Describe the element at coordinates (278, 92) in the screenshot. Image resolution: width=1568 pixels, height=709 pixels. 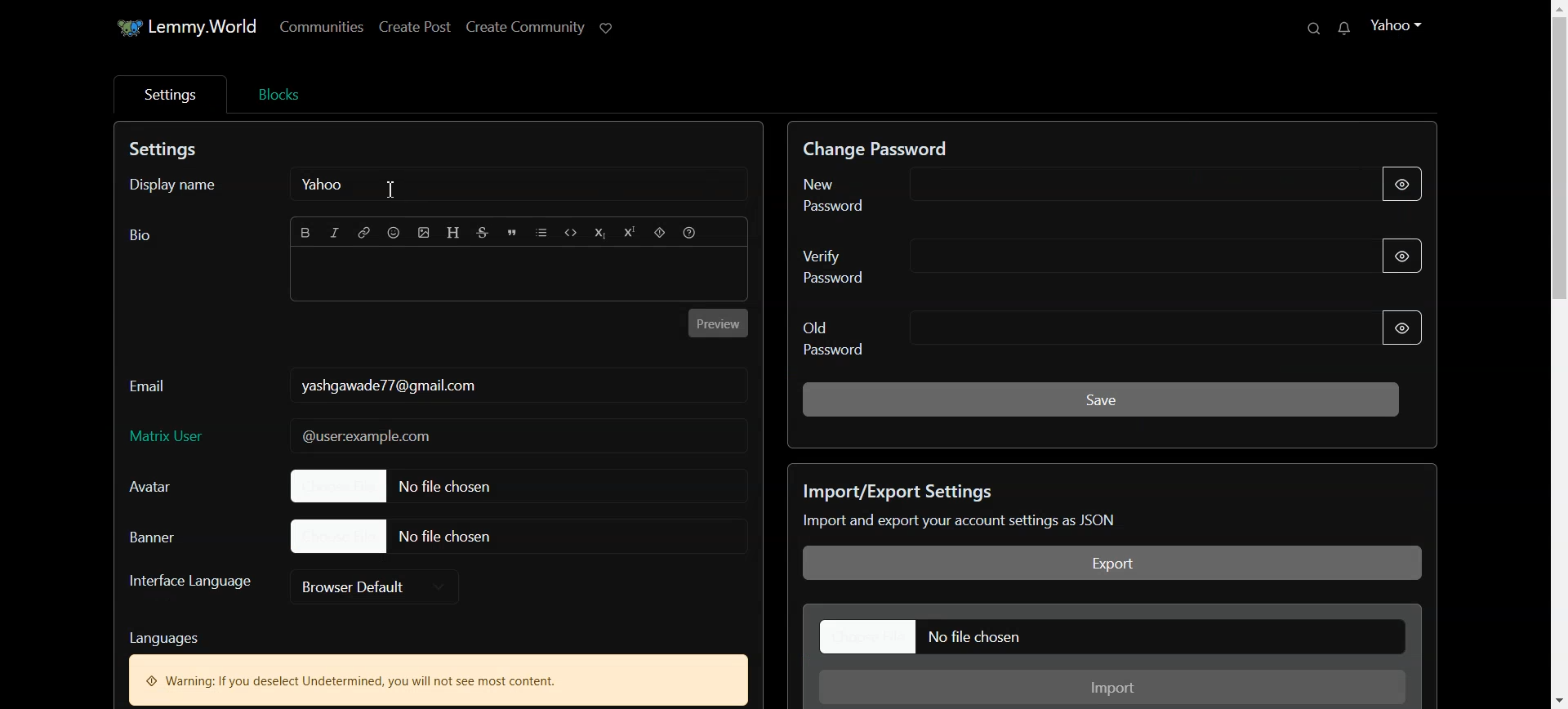
I see `Blocks` at that location.